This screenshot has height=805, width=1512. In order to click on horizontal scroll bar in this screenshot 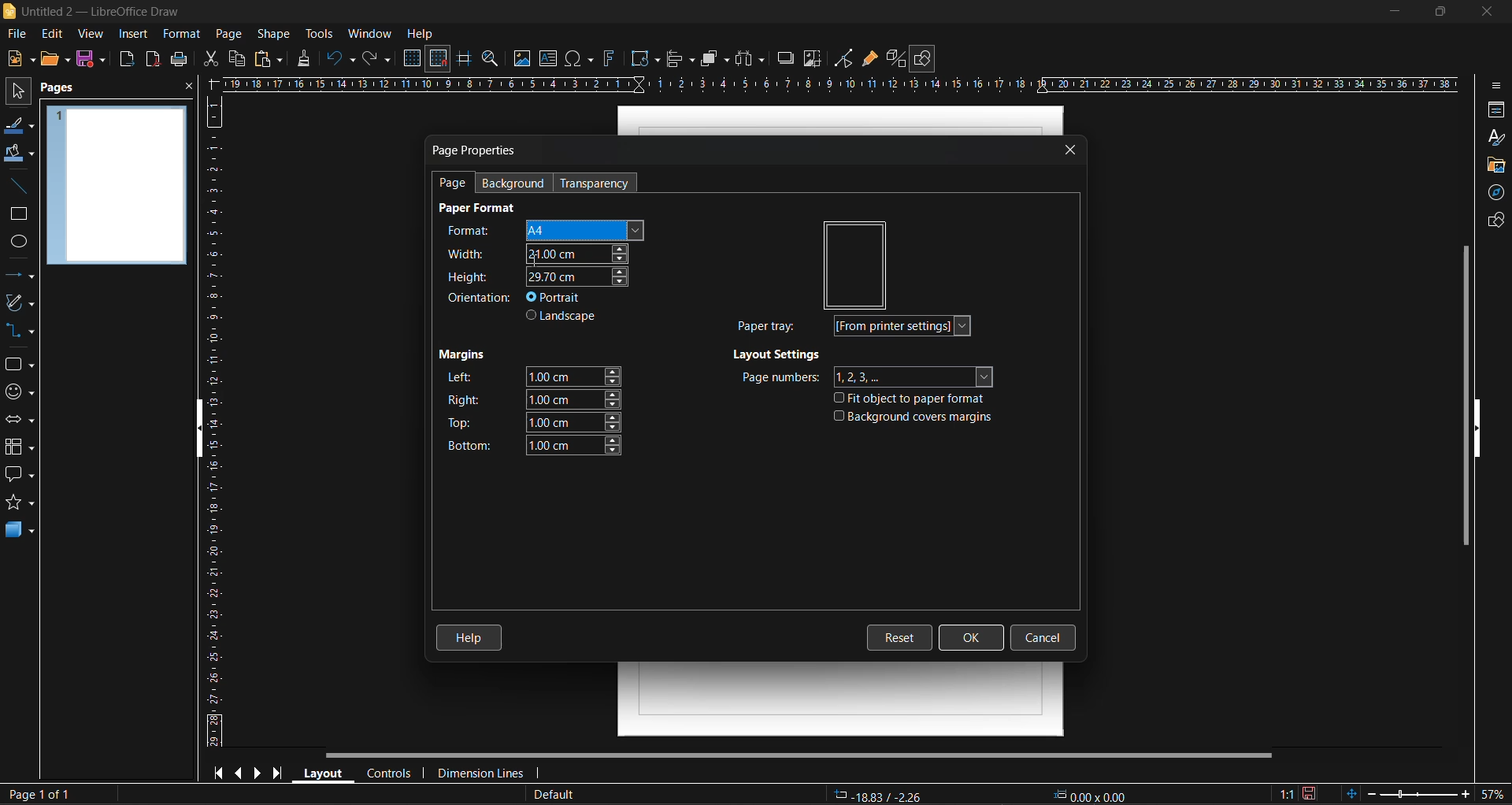, I will do `click(801, 755)`.